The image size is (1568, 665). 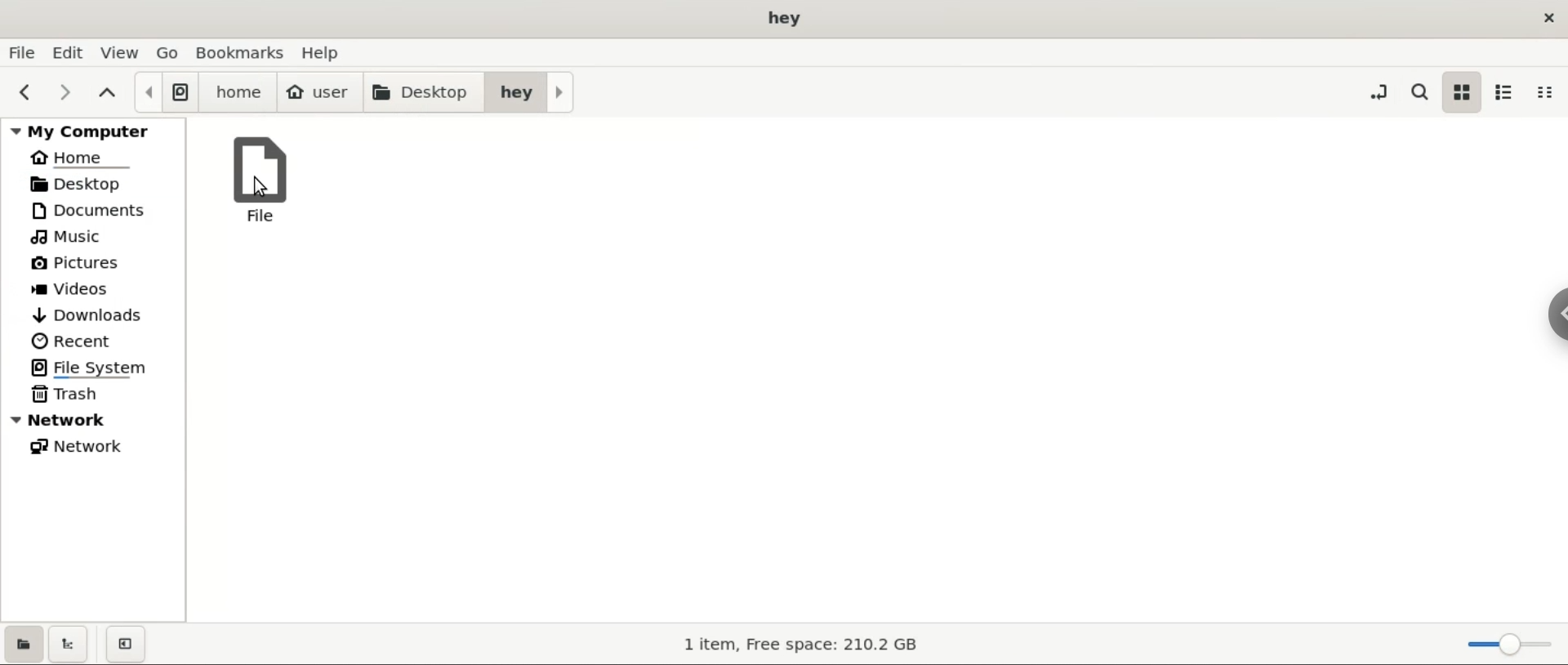 What do you see at coordinates (1508, 645) in the screenshot?
I see `zoom` at bounding box center [1508, 645].